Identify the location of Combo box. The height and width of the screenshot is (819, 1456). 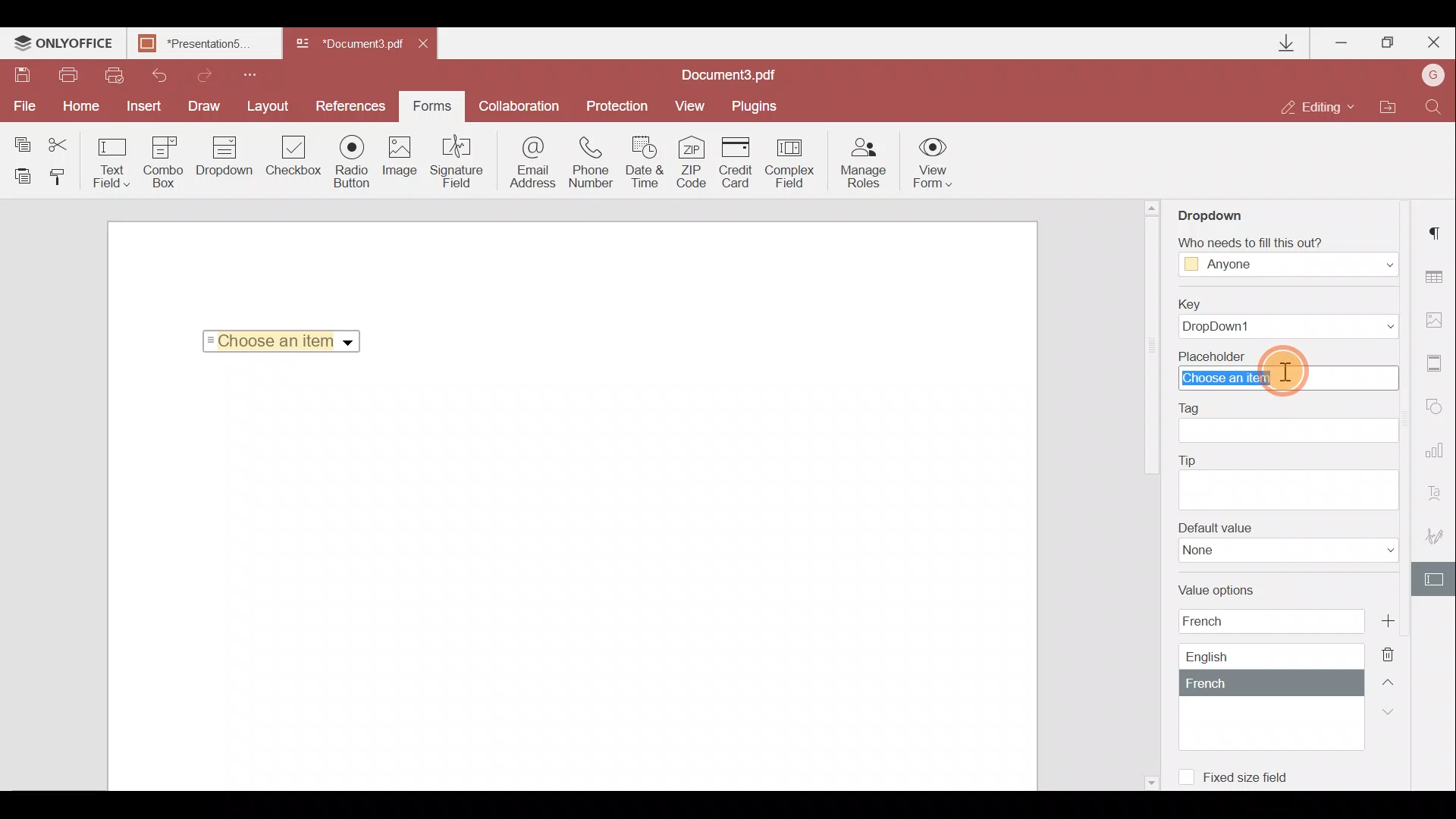
(164, 159).